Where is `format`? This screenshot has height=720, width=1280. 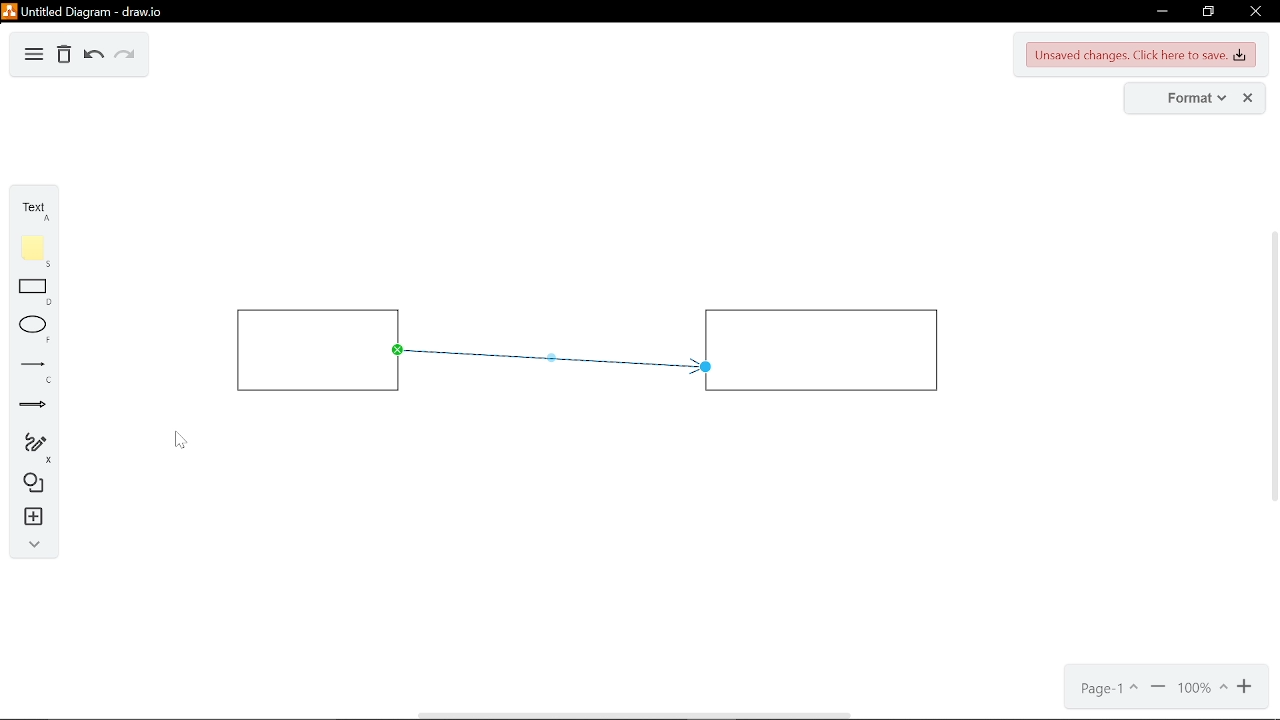
format is located at coordinates (1184, 98).